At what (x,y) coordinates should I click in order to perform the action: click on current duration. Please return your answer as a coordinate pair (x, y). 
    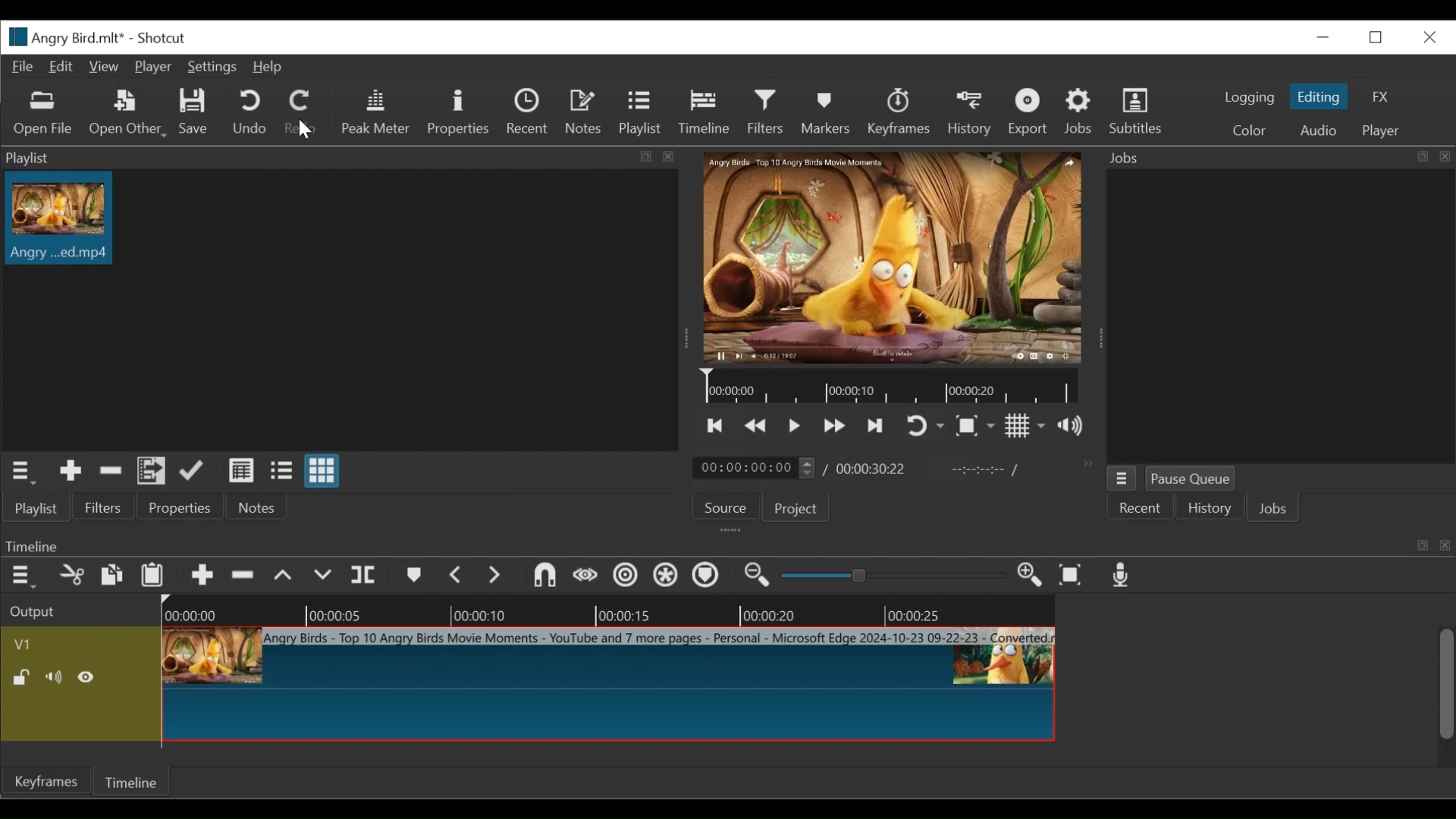
    Looking at the image, I should click on (753, 468).